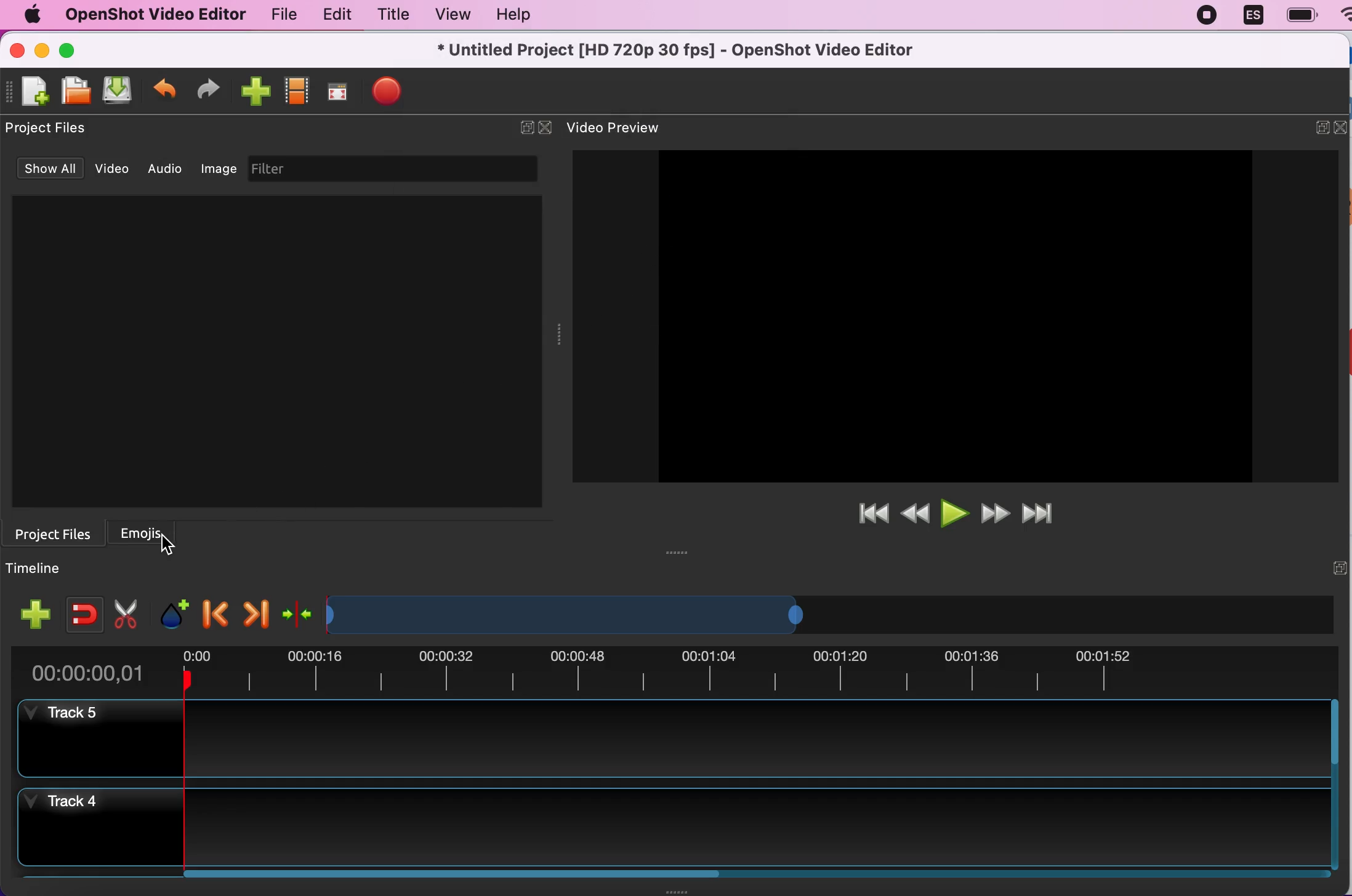 Image resolution: width=1352 pixels, height=896 pixels. I want to click on play, so click(956, 511).